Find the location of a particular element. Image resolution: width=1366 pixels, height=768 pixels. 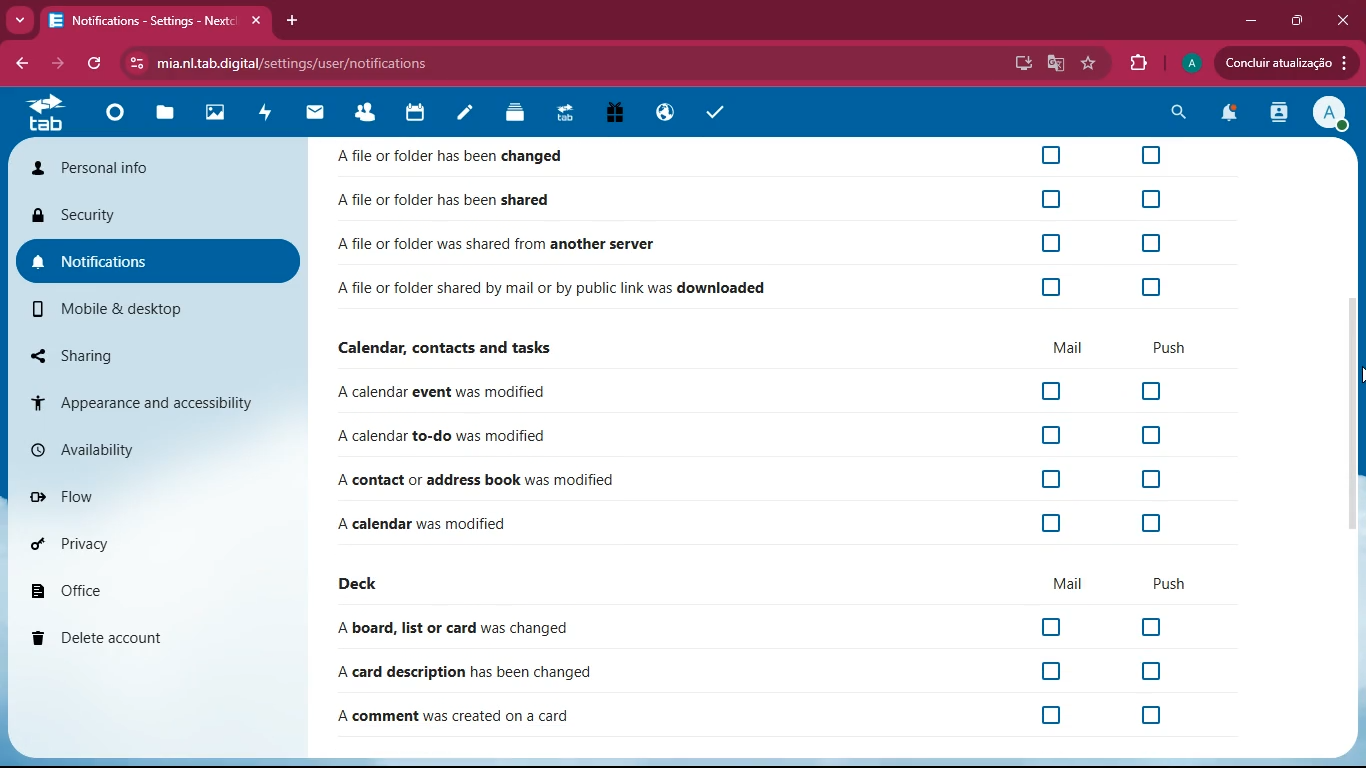

off is located at coordinates (1153, 480).